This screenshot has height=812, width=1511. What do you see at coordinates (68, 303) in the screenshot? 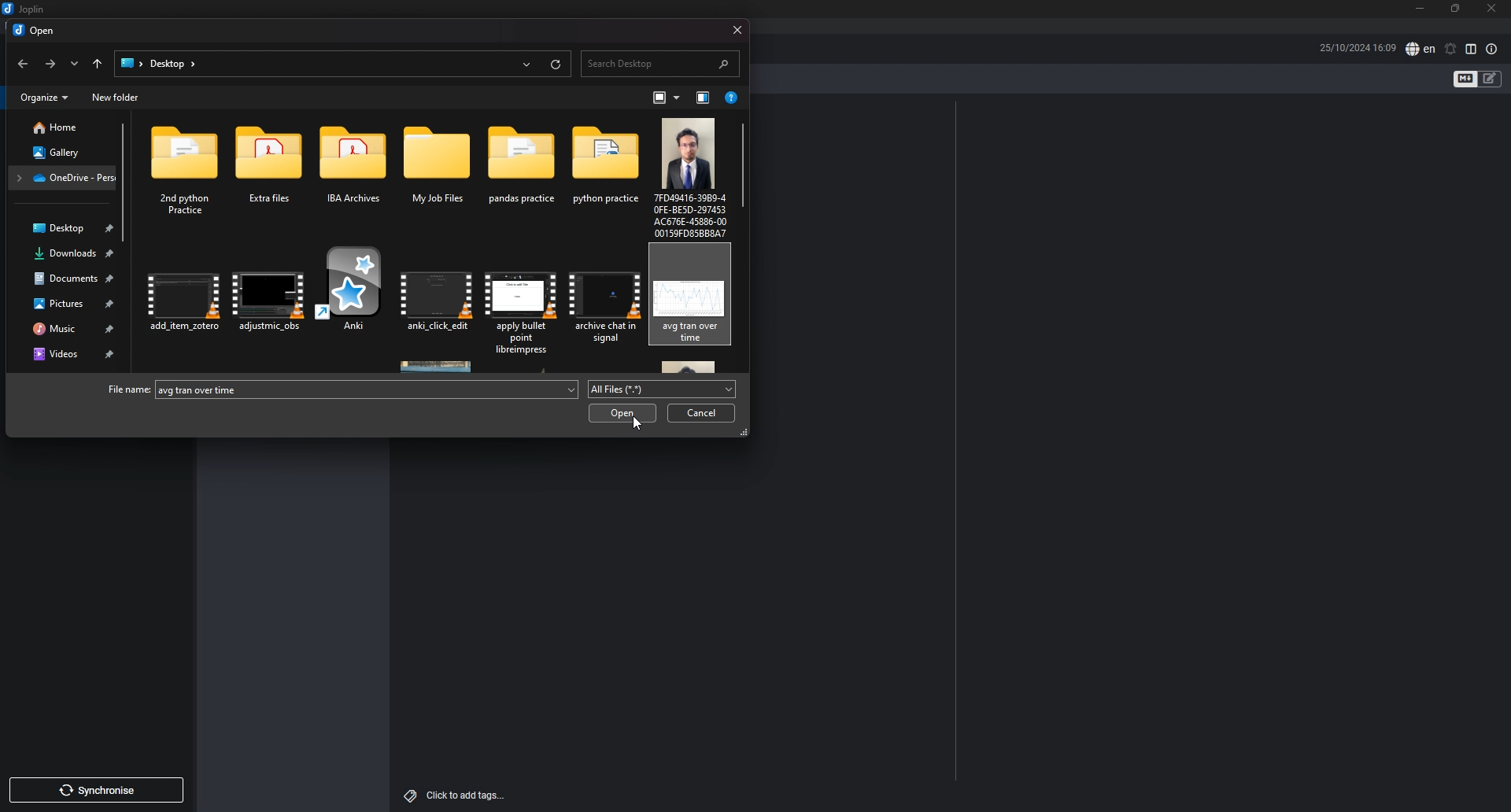
I see `pictures` at bounding box center [68, 303].